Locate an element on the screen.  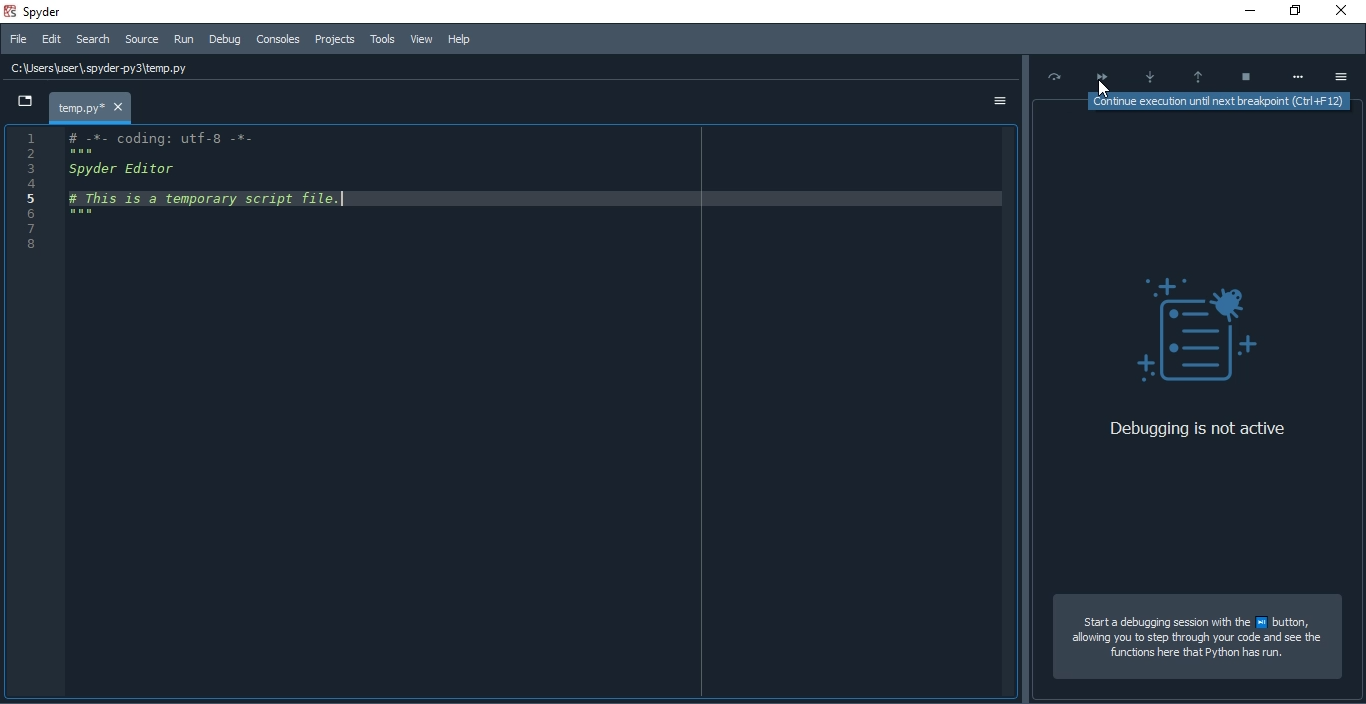
Run is located at coordinates (184, 40).